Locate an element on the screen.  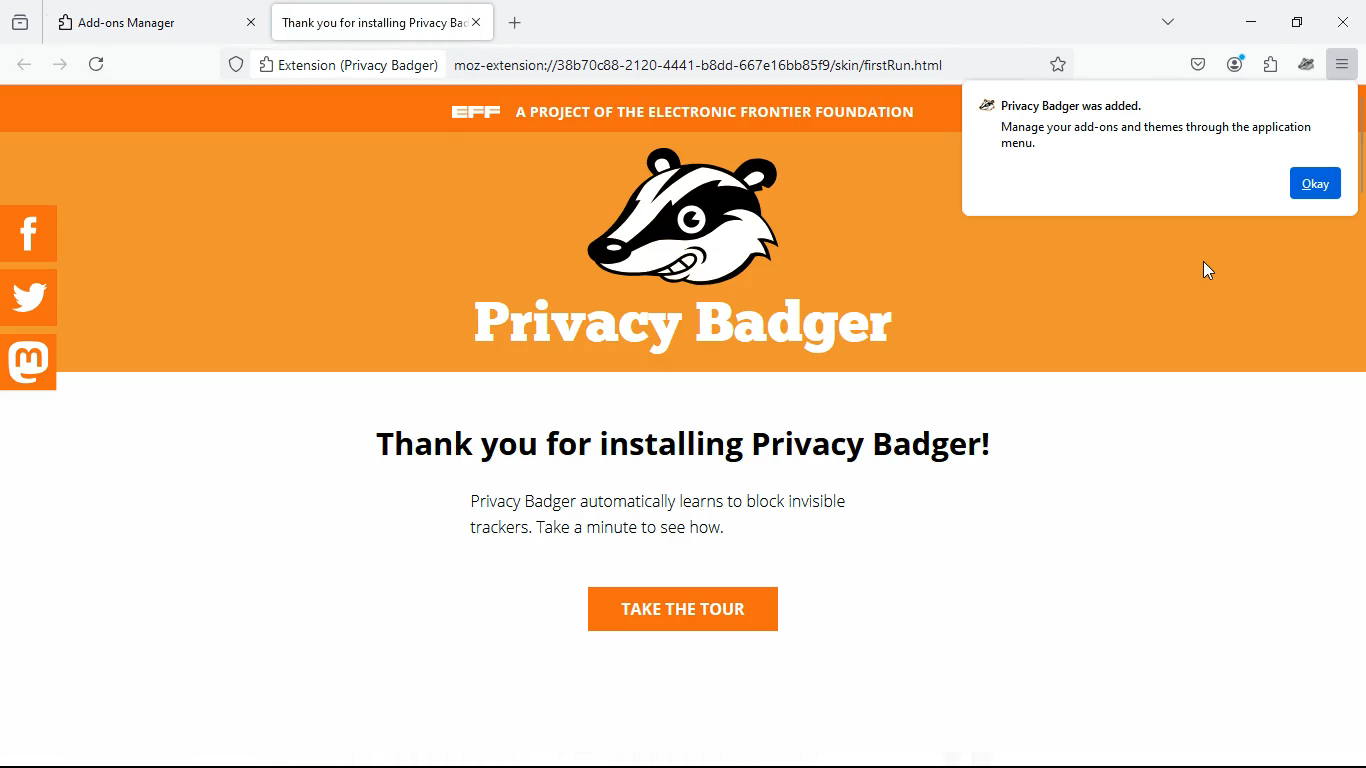
EFF A PROJECT OF THE ELECTRONIC FRONTIER FOUNDATION is located at coordinates (688, 117).